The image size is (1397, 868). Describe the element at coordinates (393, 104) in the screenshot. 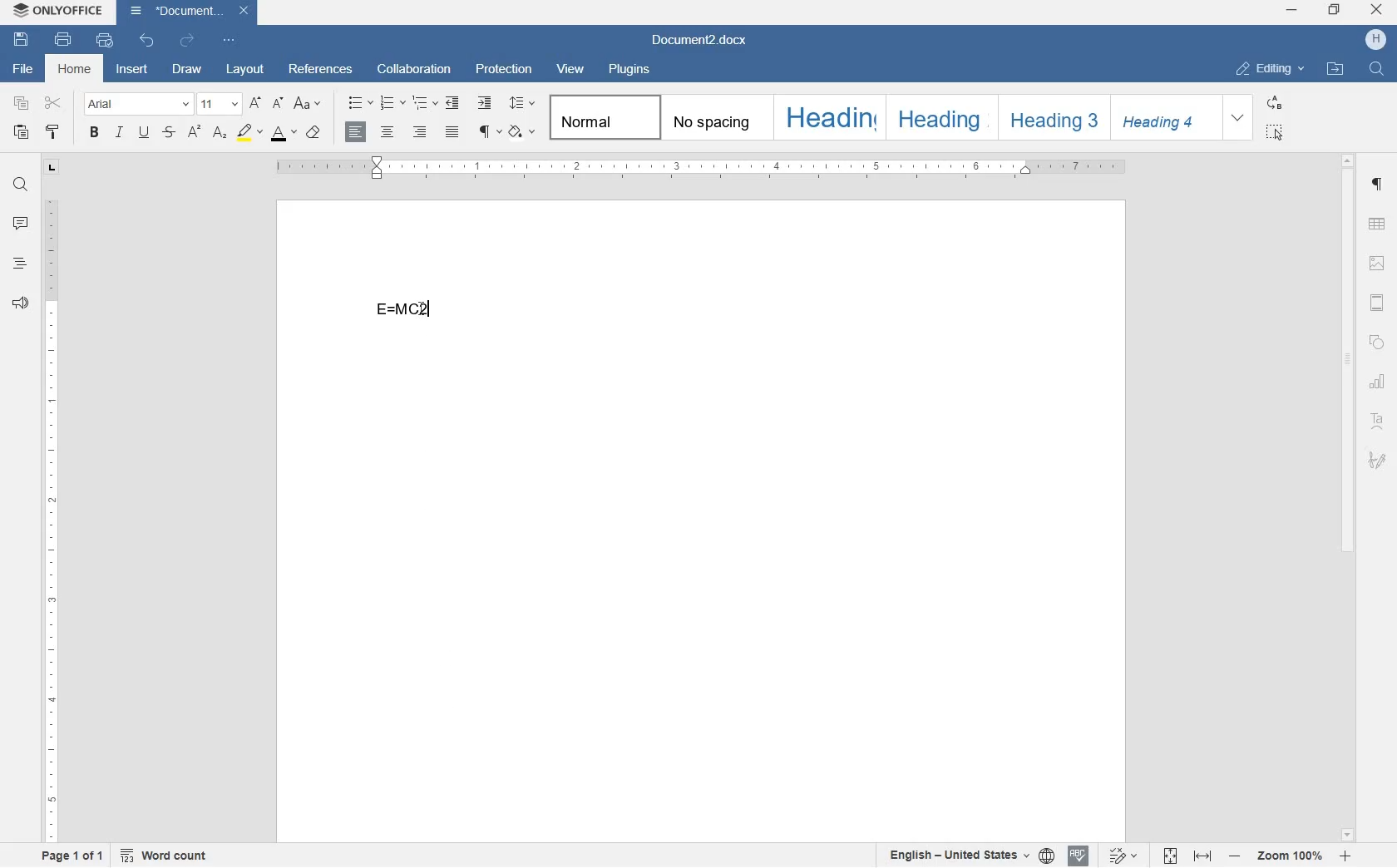

I see `numbering` at that location.